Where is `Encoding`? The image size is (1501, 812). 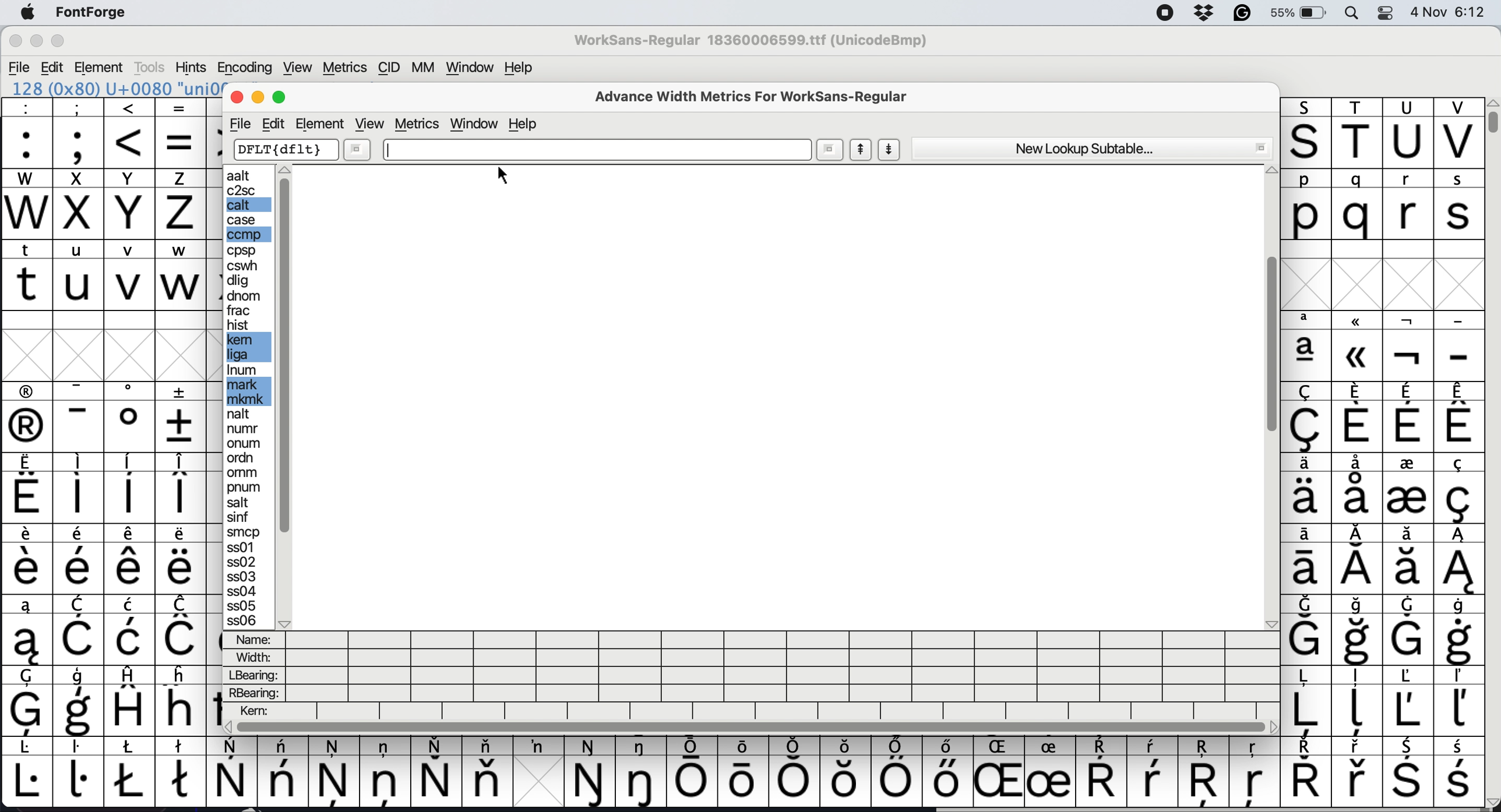
Encoding is located at coordinates (245, 68).